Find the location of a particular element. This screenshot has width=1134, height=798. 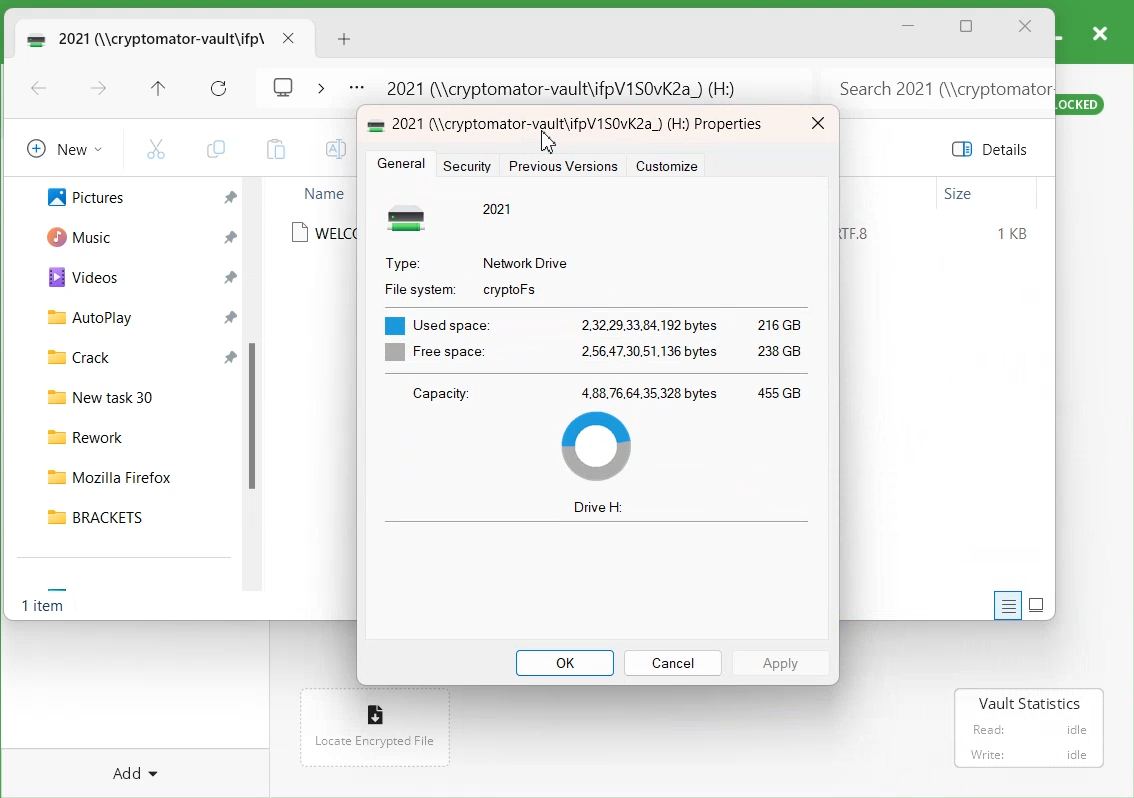

Bl Used space is located at coordinates (433, 320).